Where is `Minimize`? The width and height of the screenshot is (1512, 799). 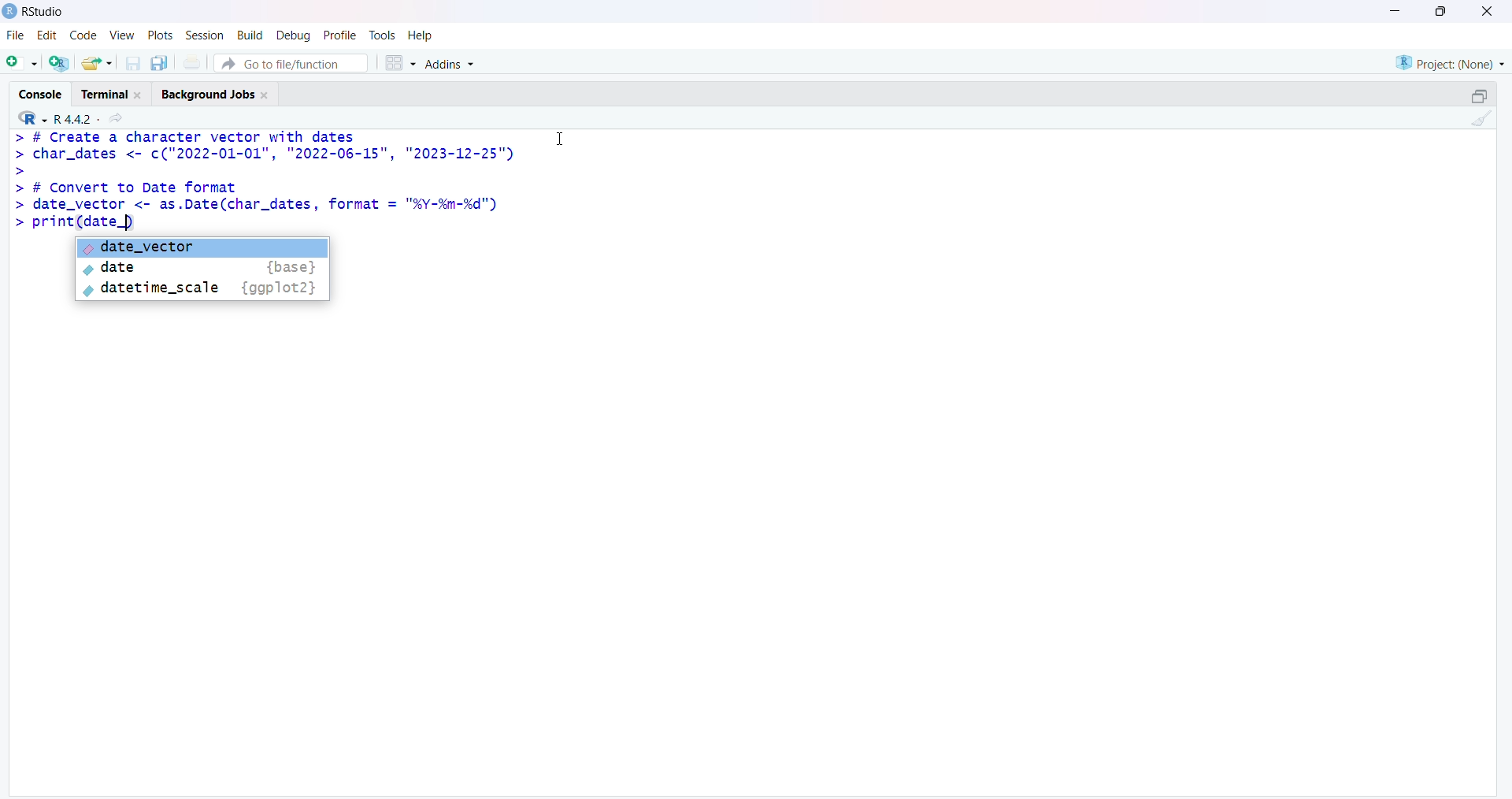
Minimize is located at coordinates (1399, 9).